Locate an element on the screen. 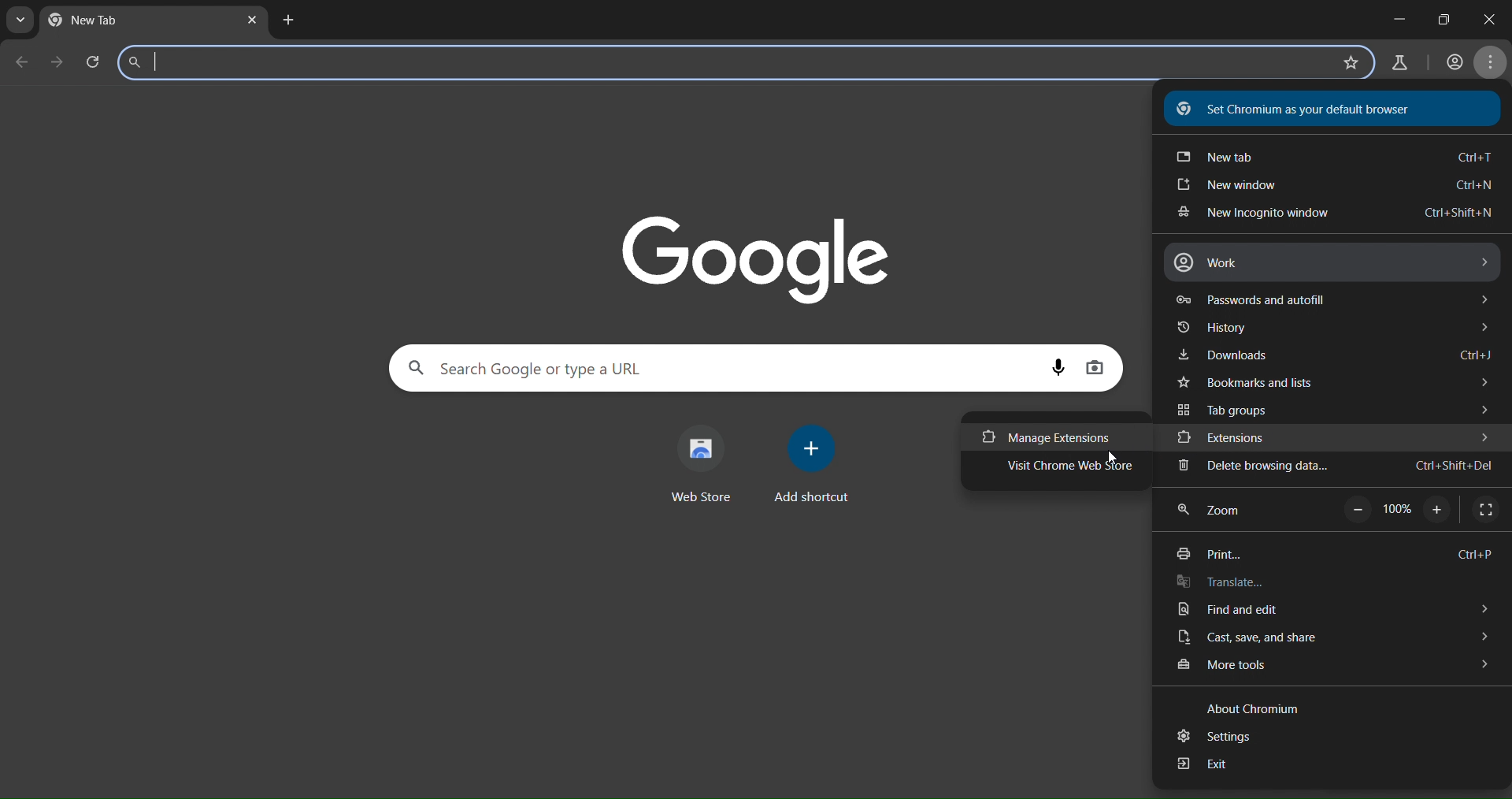  history is located at coordinates (1336, 330).